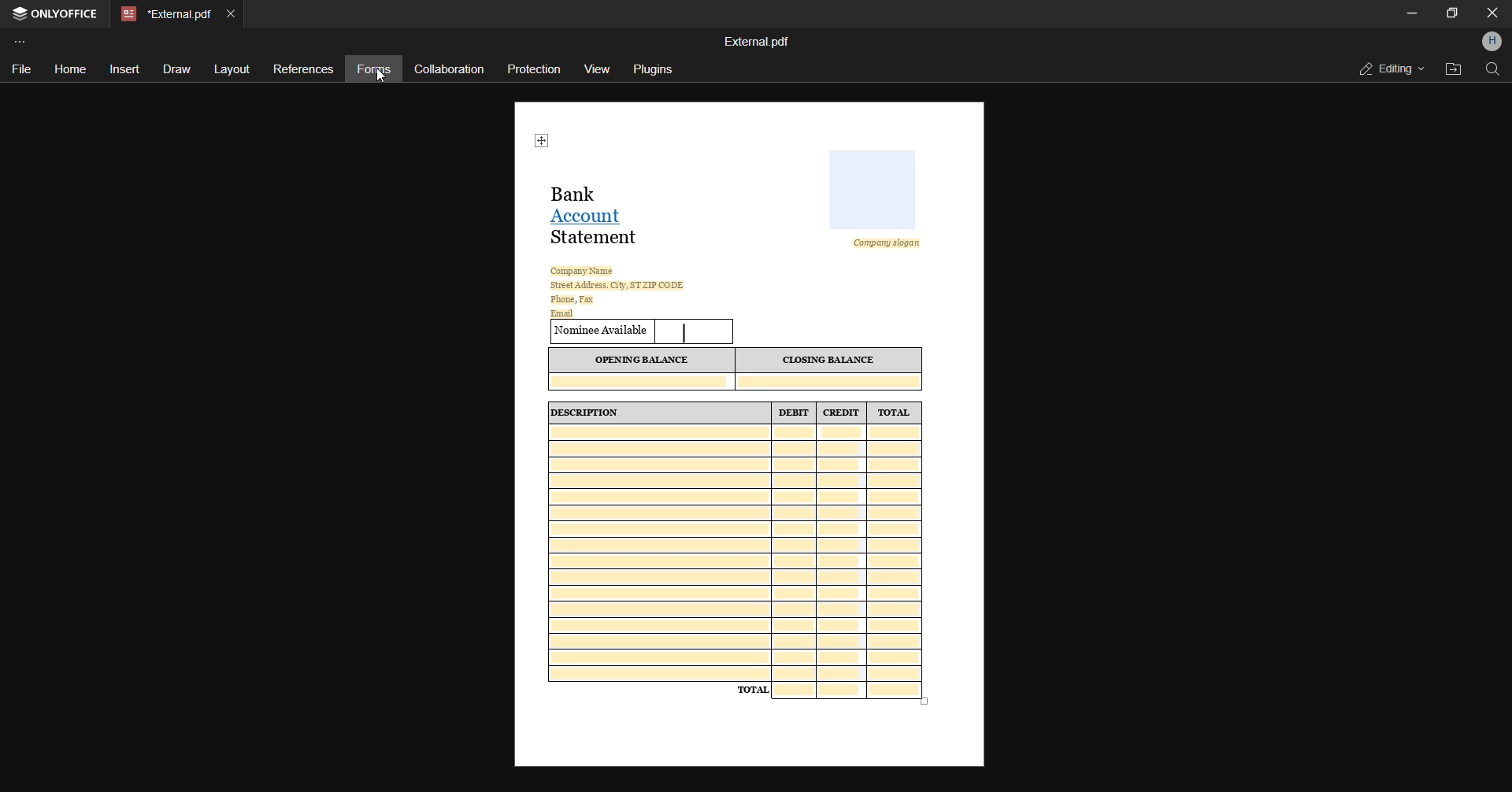  What do you see at coordinates (1387, 67) in the screenshot?
I see `editing` at bounding box center [1387, 67].